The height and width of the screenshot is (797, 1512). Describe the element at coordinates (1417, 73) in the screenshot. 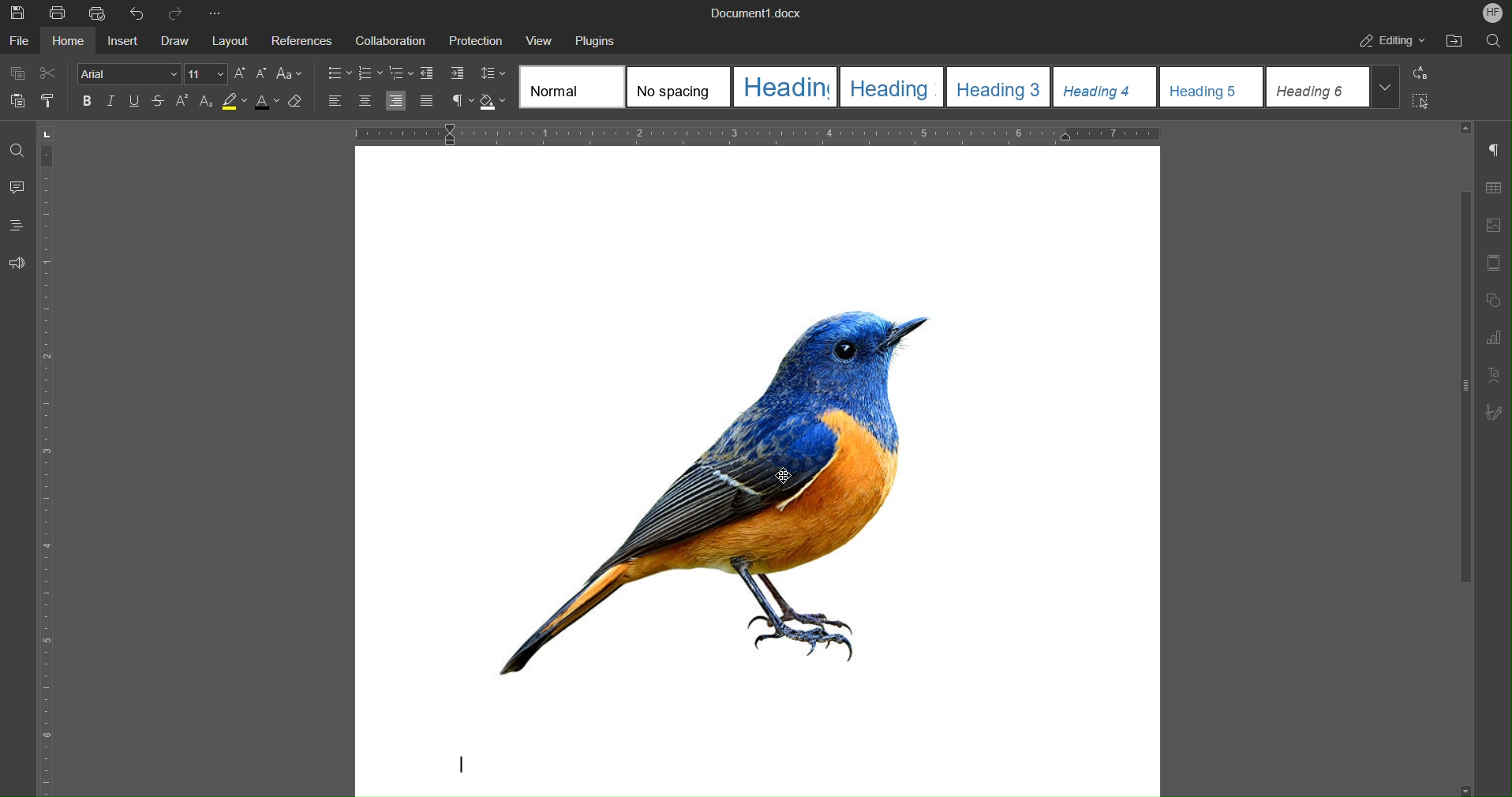

I see `Replace` at that location.